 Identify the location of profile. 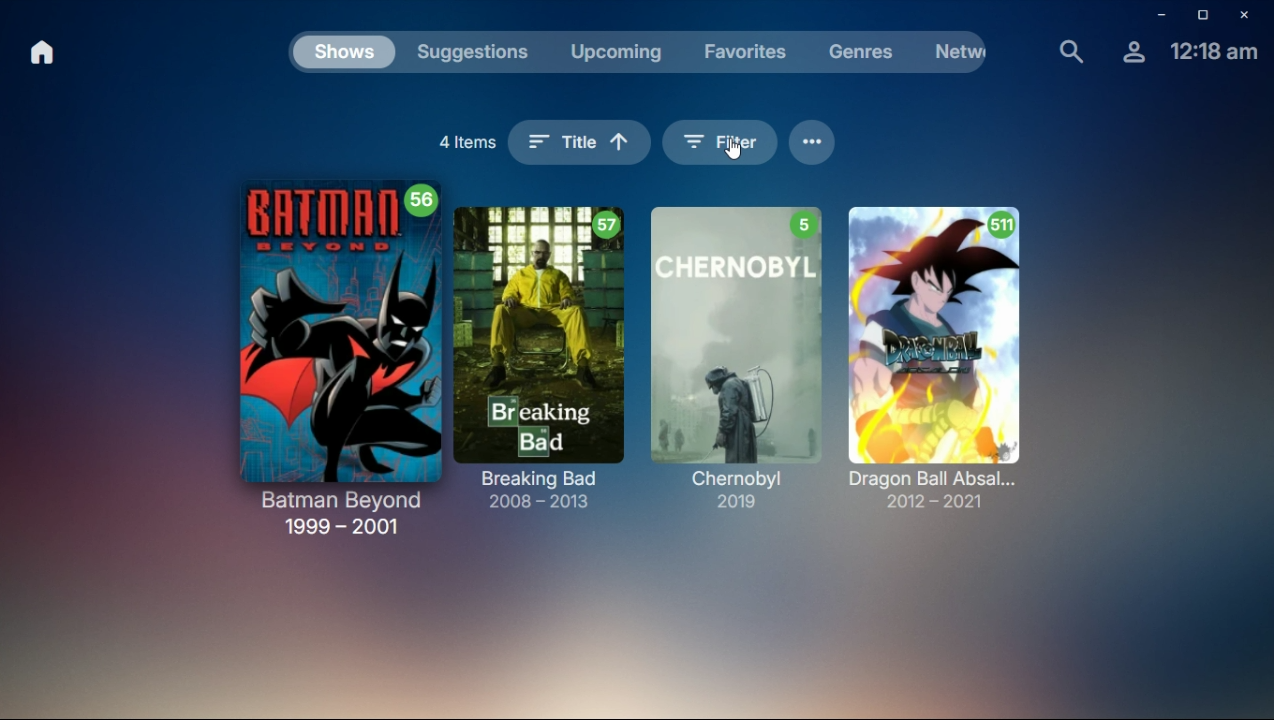
(1133, 53).